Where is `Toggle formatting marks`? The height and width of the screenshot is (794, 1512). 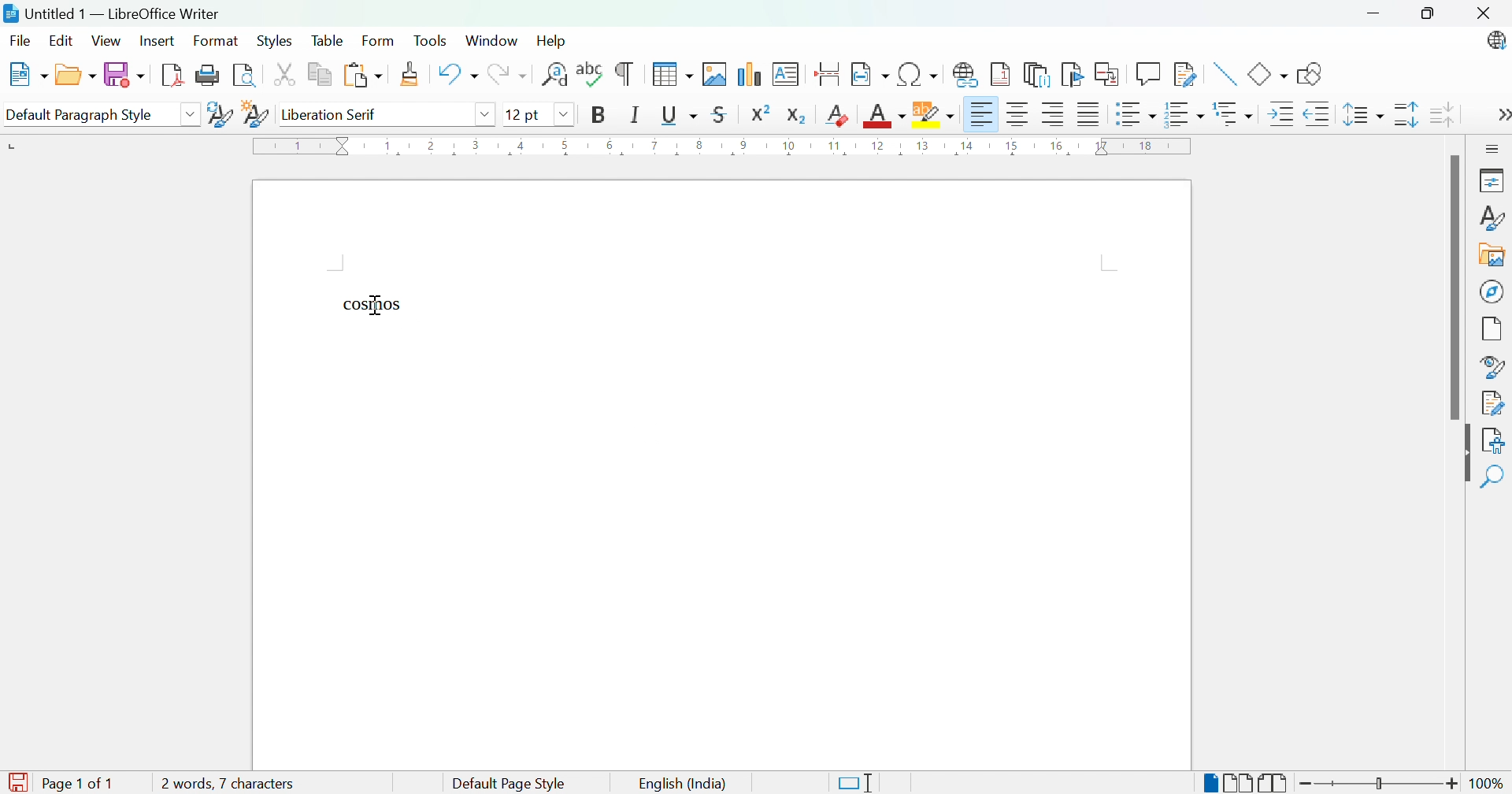 Toggle formatting marks is located at coordinates (624, 74).